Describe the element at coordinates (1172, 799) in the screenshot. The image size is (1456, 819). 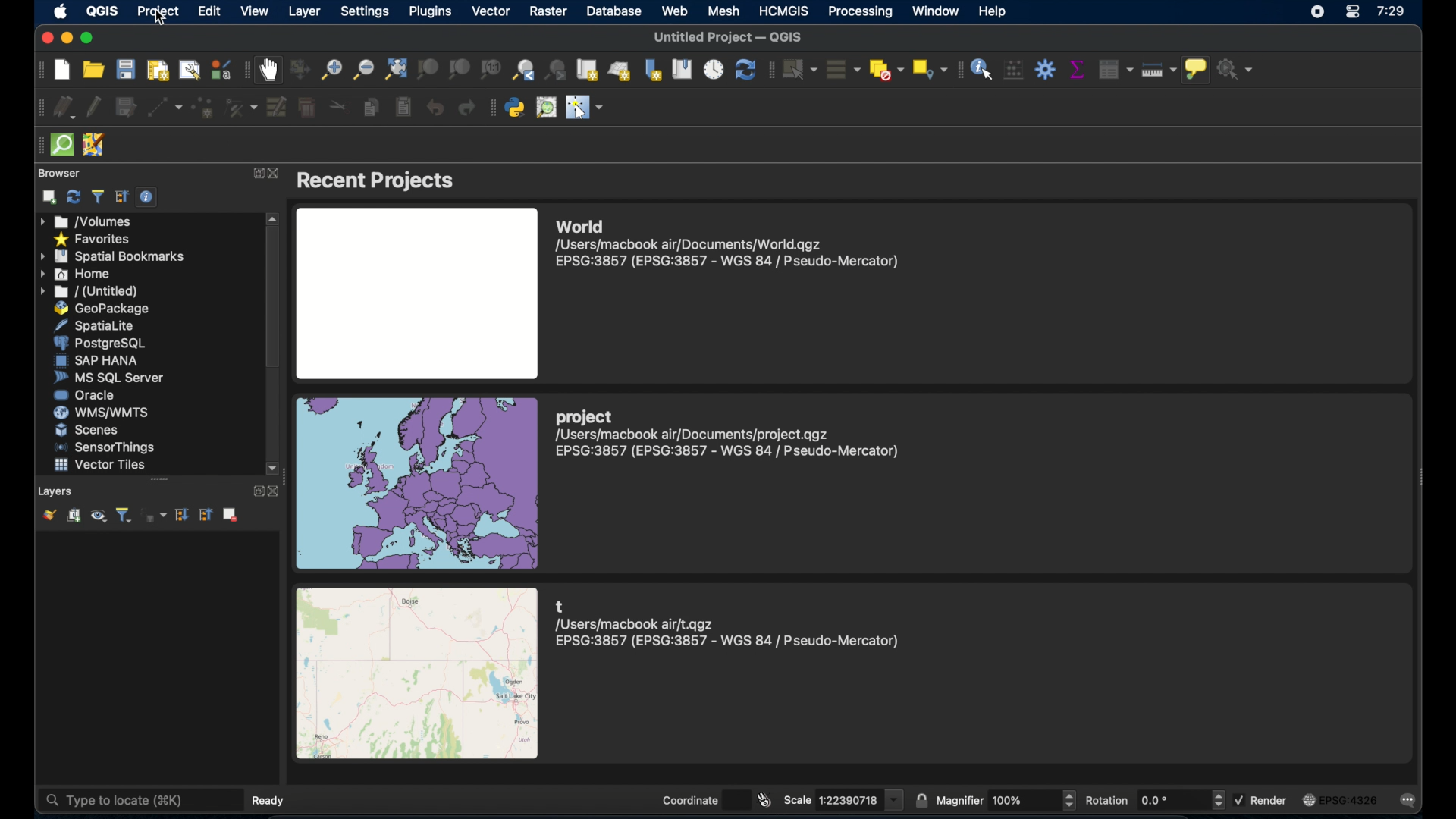
I see `rotation value` at that location.